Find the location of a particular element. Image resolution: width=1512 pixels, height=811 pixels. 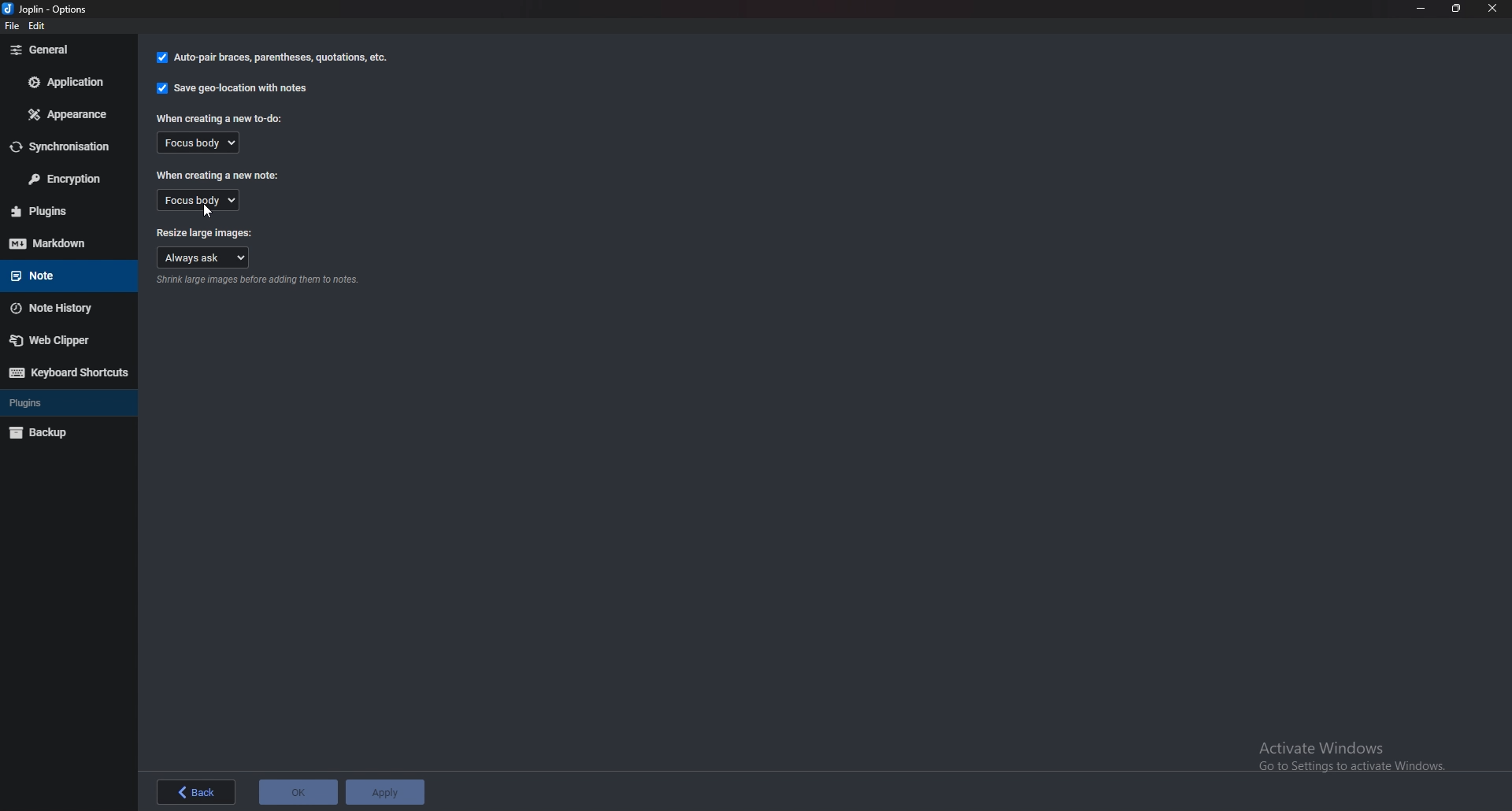

Application is located at coordinates (64, 81).